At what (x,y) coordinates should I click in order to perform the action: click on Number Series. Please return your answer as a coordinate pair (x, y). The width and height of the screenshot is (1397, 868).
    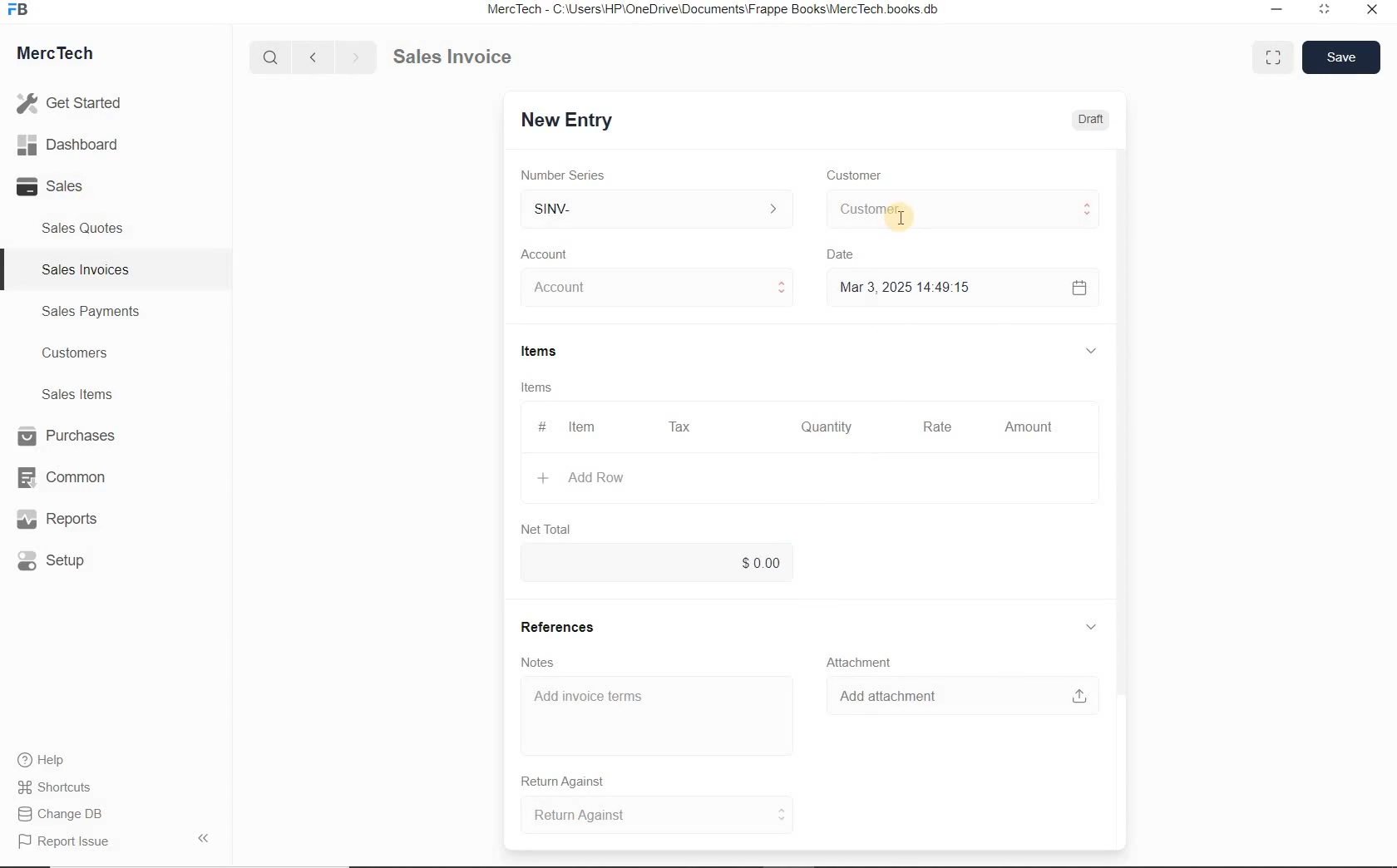
    Looking at the image, I should click on (568, 175).